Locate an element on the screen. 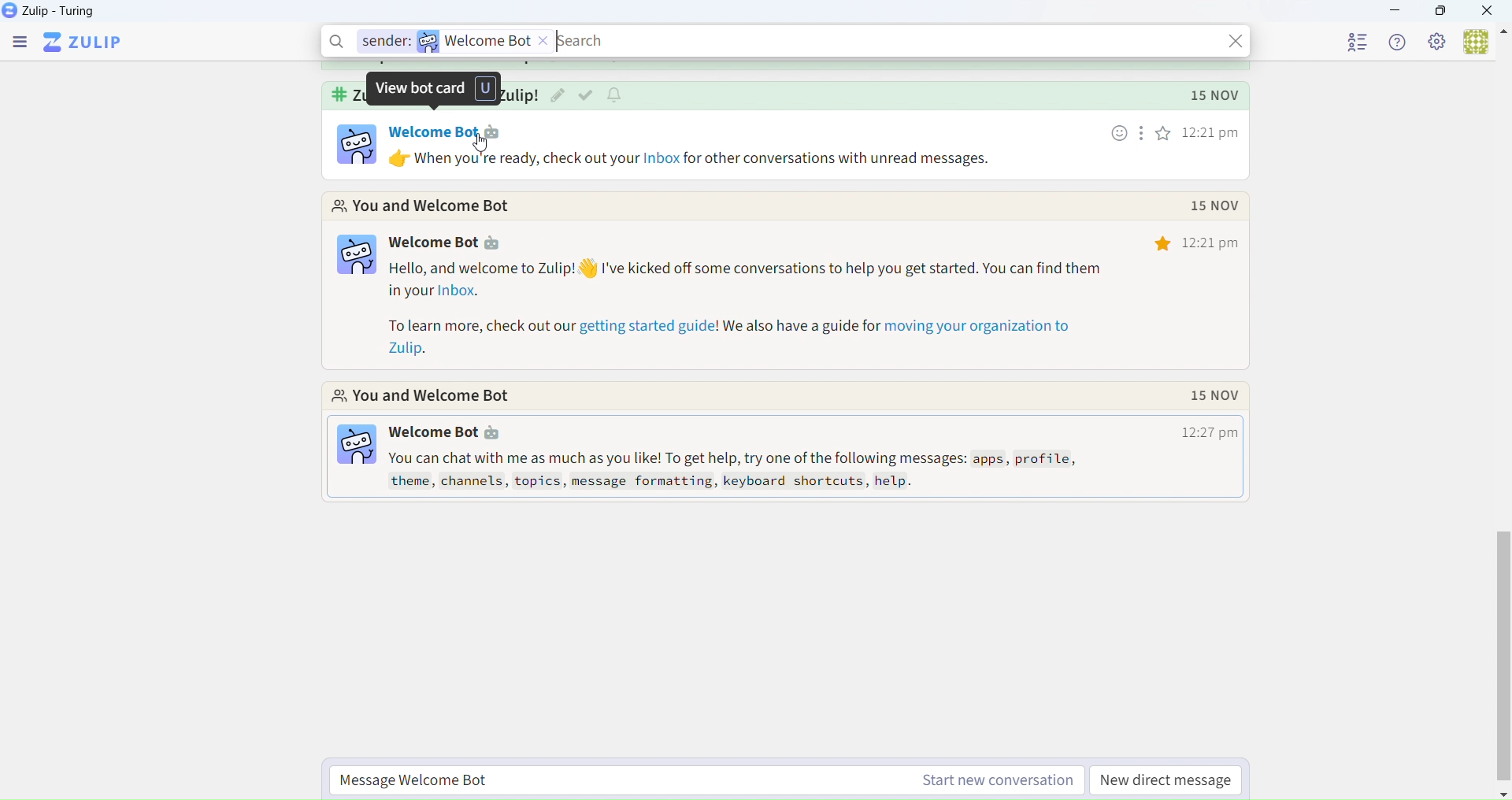   You and Welcome Bot is located at coordinates (428, 397).